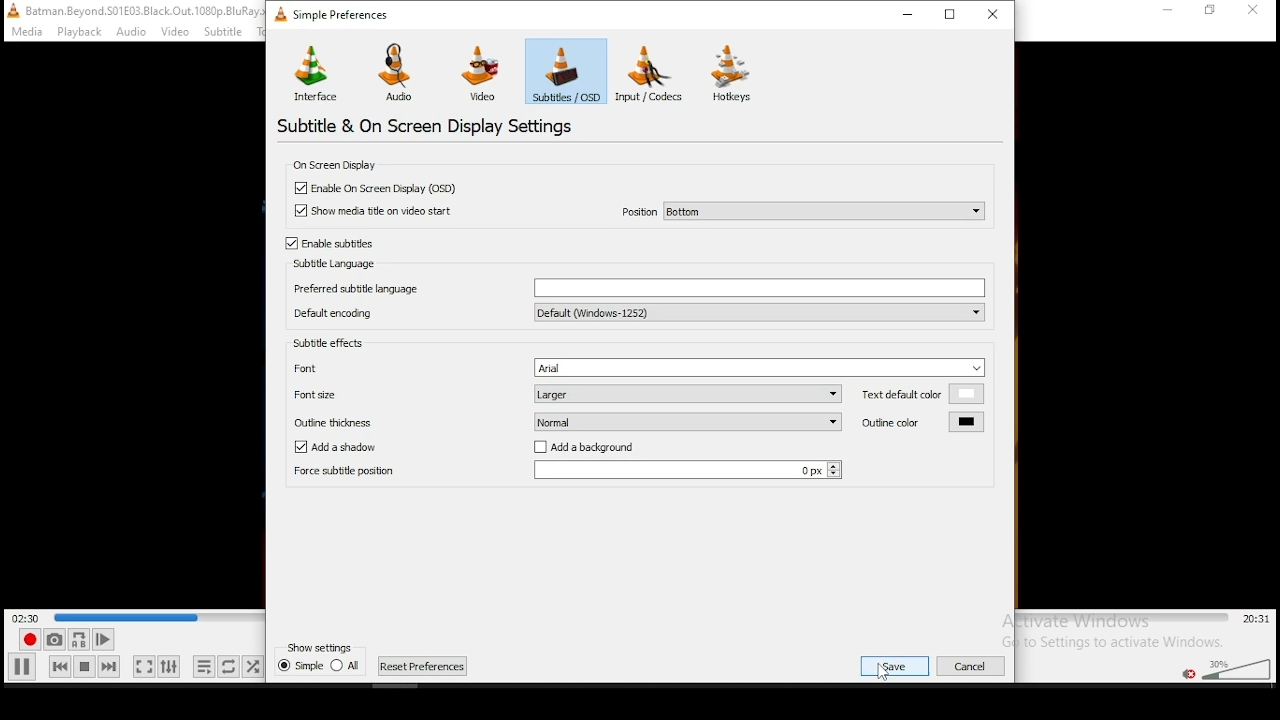 The width and height of the screenshot is (1280, 720). Describe the element at coordinates (923, 421) in the screenshot. I see `outline color` at that location.